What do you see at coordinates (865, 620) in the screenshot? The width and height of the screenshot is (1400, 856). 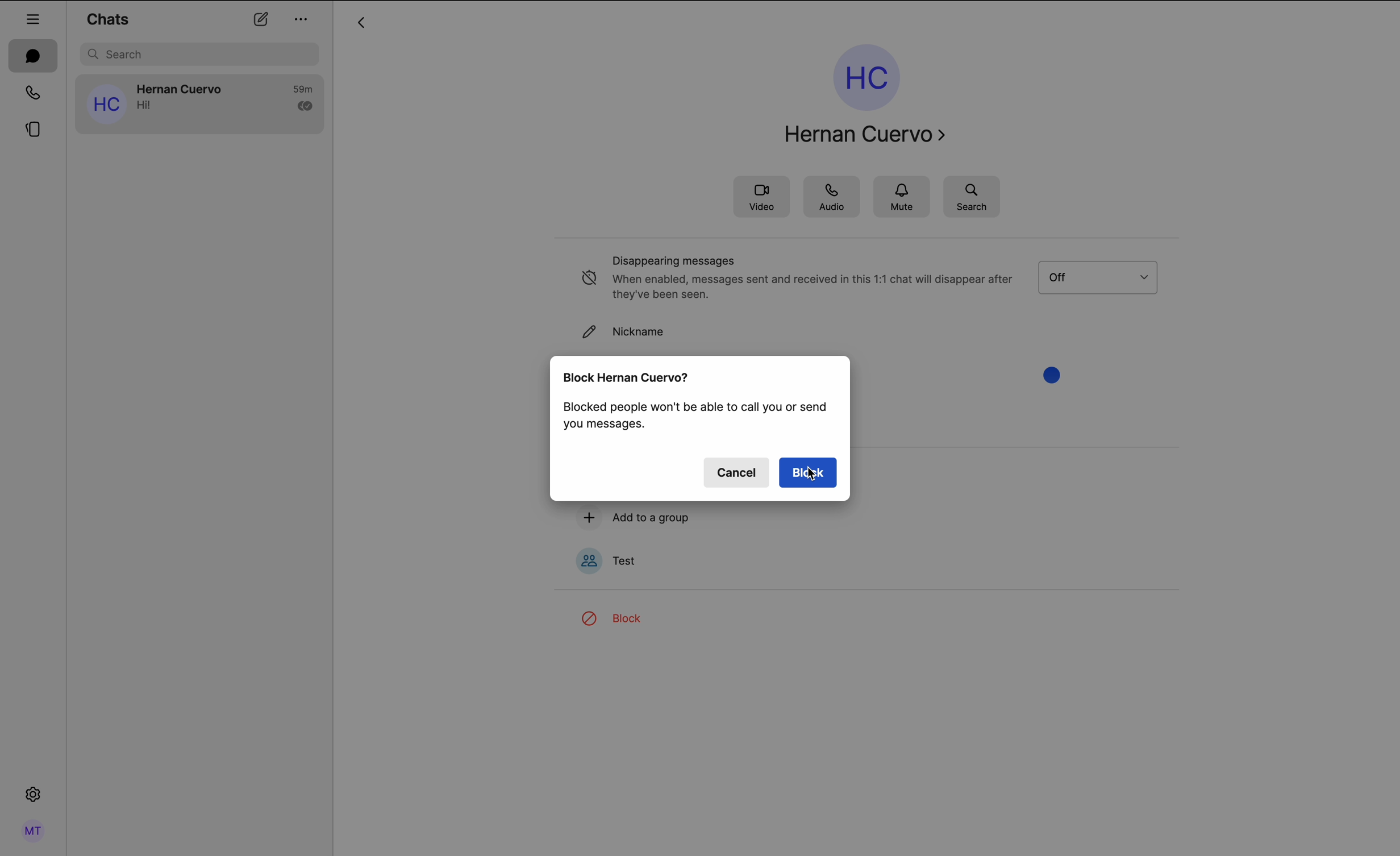 I see `cursor on block option` at bounding box center [865, 620].